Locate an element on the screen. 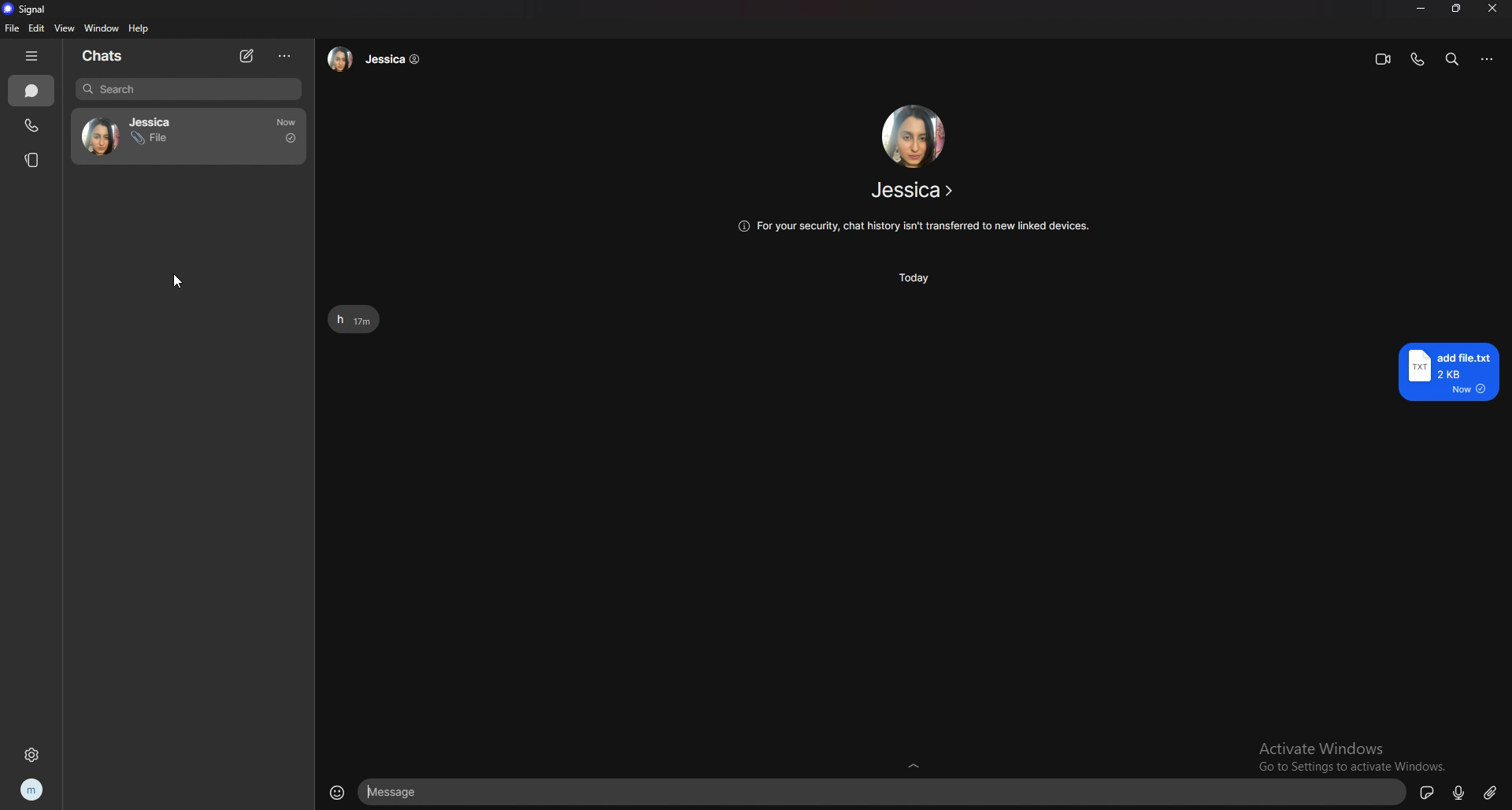  today is located at coordinates (917, 280).